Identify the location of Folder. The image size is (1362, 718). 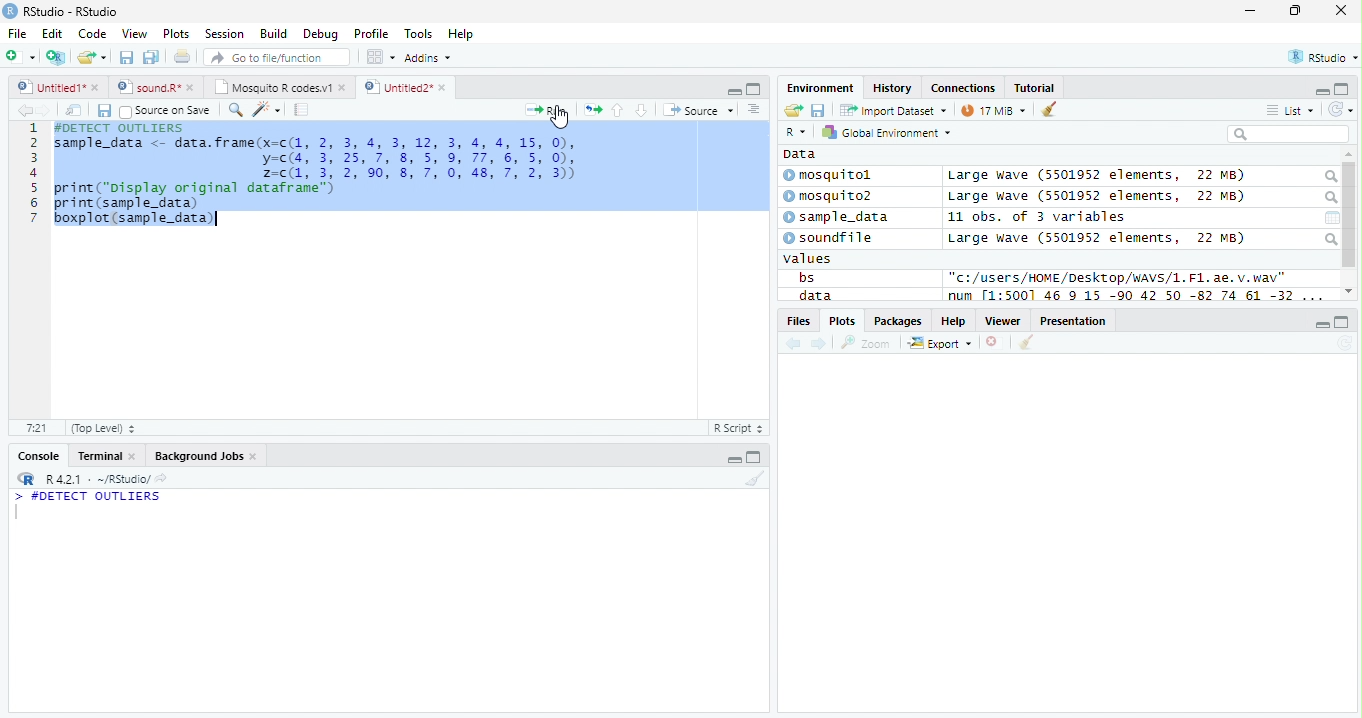
(793, 110).